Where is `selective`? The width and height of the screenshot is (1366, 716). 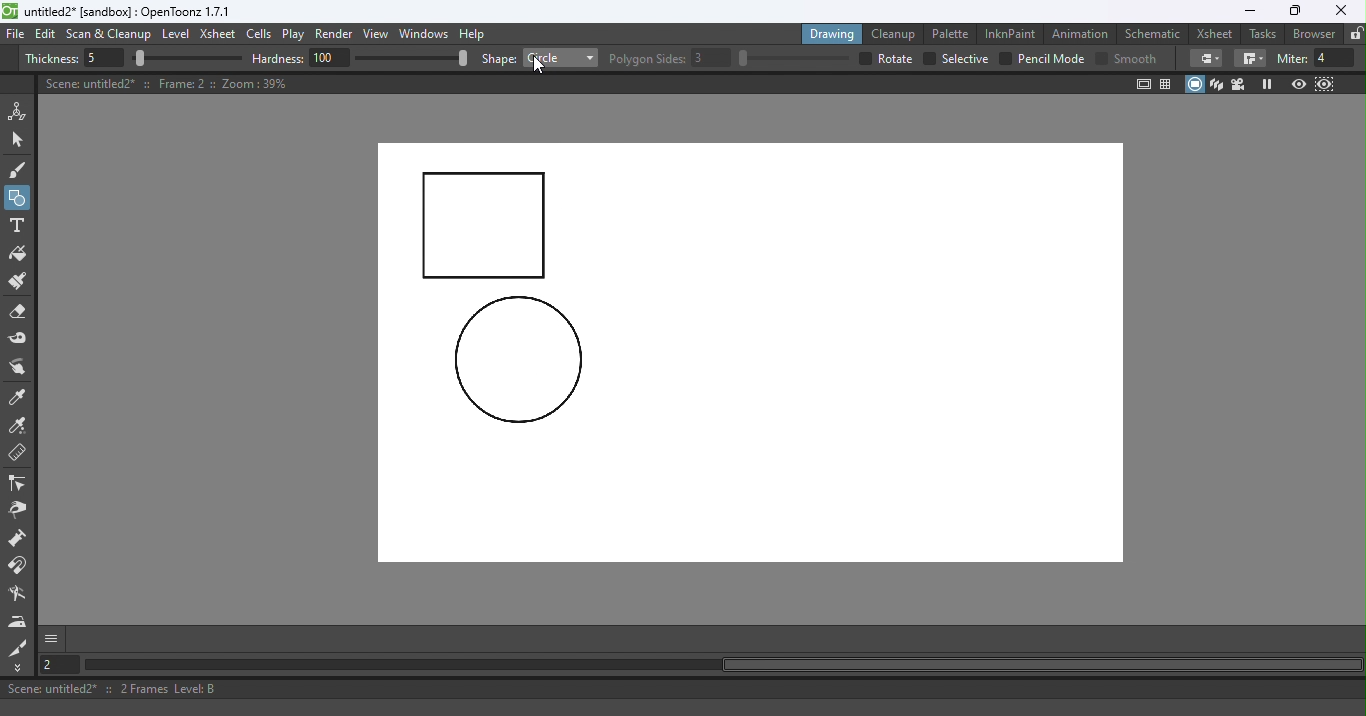
selective is located at coordinates (965, 59).